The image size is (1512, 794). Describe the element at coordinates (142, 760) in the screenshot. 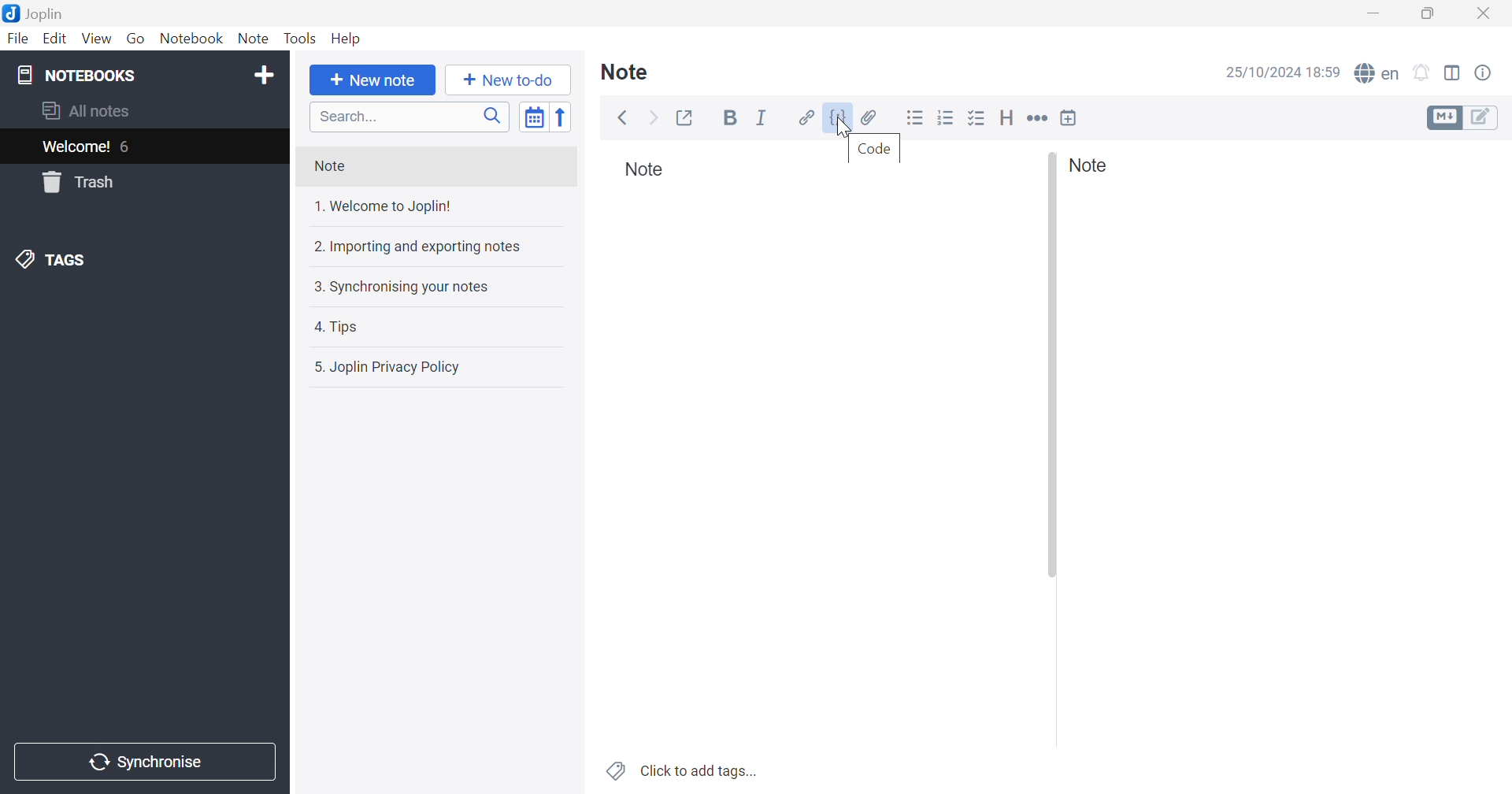

I see `Synchronise` at that location.